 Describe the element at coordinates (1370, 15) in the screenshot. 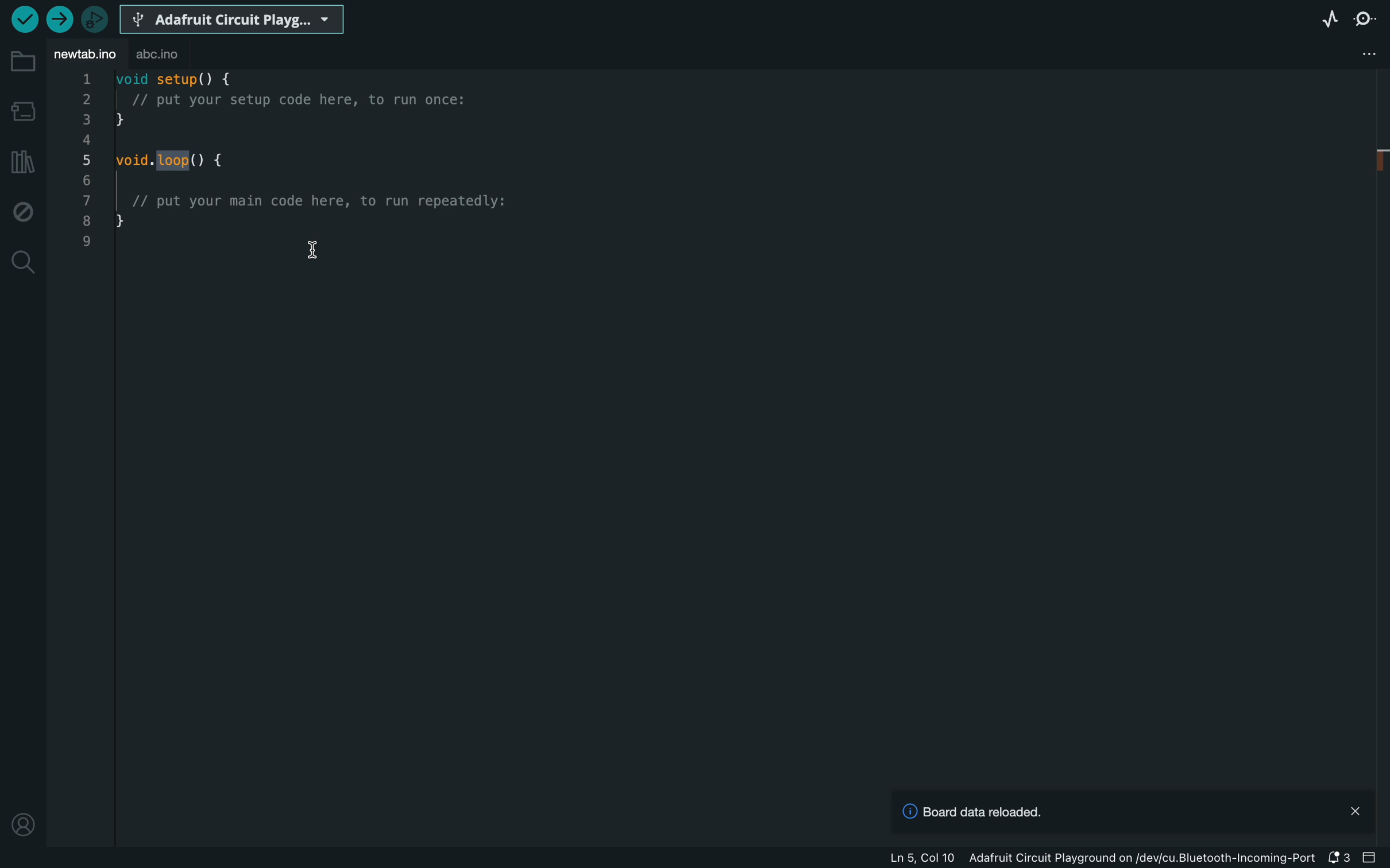

I see `serial monitor` at that location.